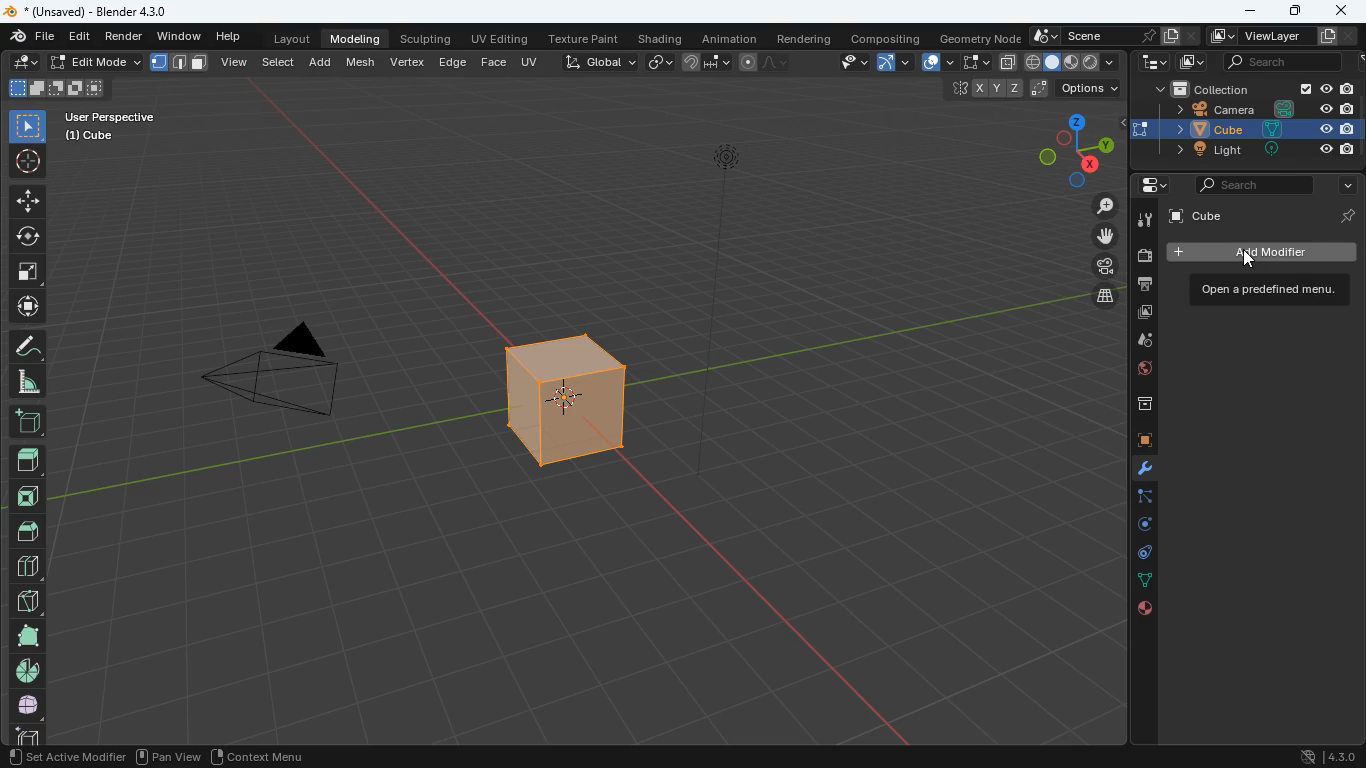 The width and height of the screenshot is (1366, 768). I want to click on dots, so click(1140, 581).